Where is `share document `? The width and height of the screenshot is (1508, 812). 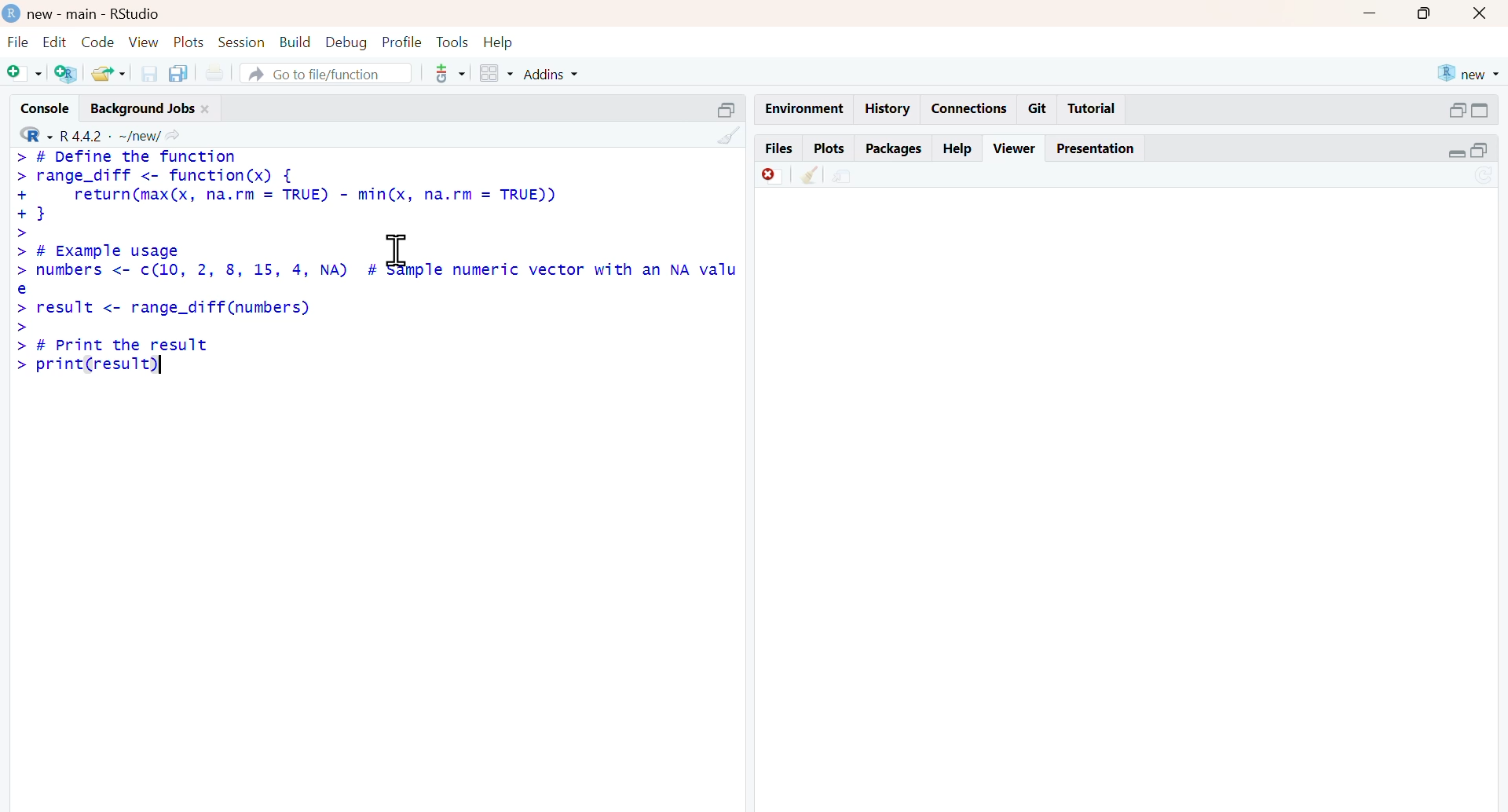 share document  is located at coordinates (842, 177).